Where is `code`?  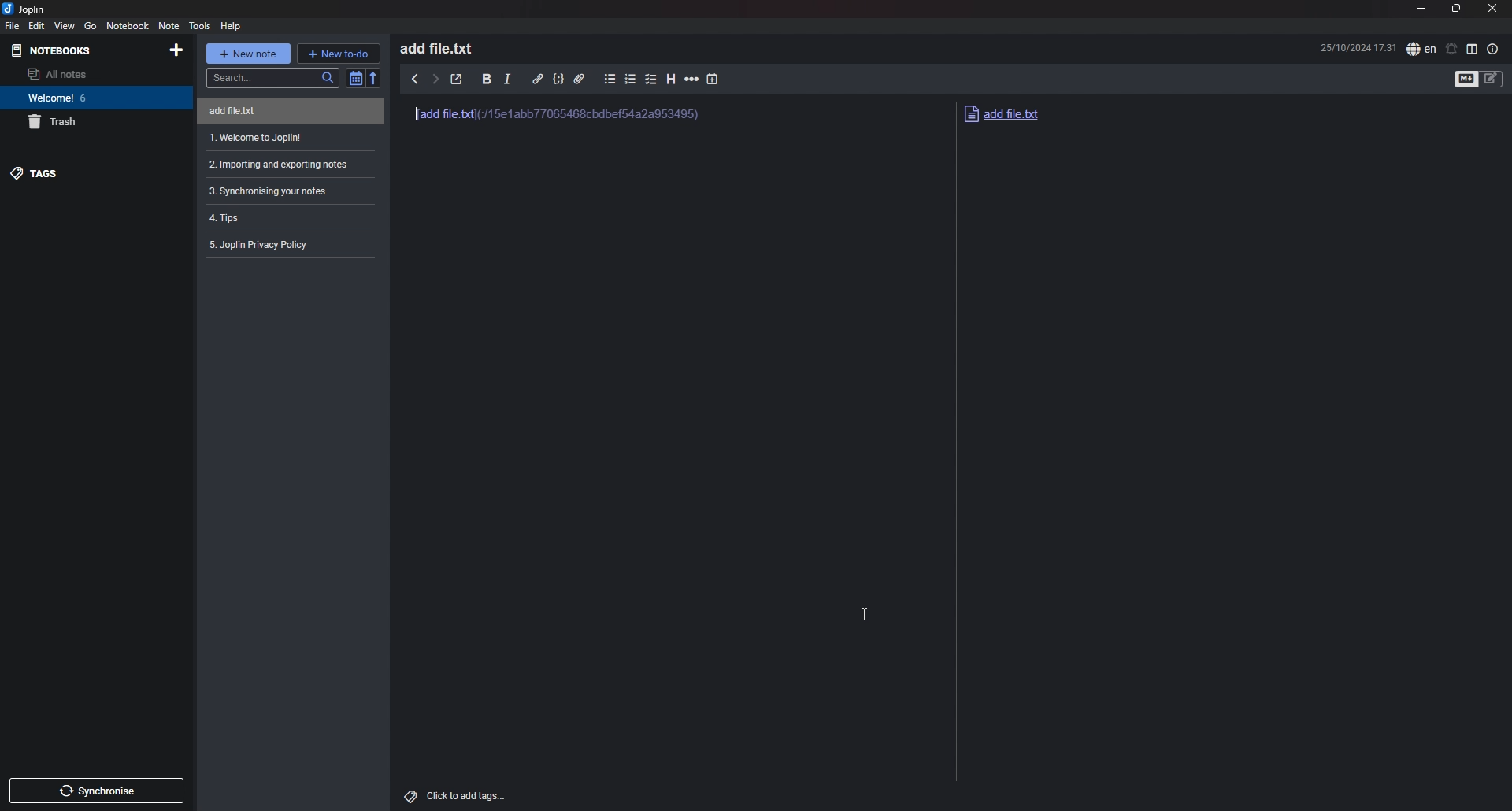
code is located at coordinates (559, 78).